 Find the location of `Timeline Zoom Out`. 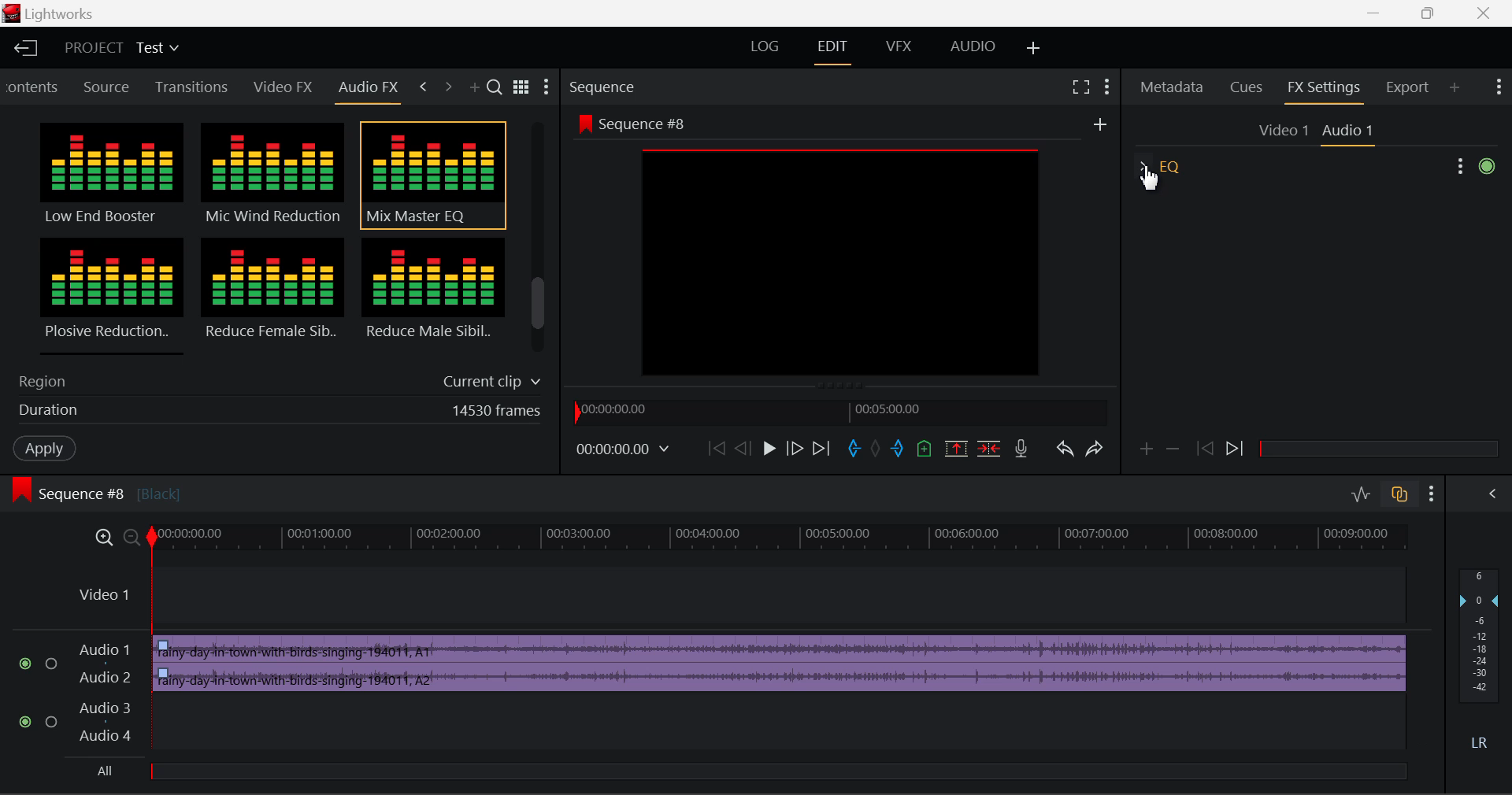

Timeline Zoom Out is located at coordinates (132, 539).